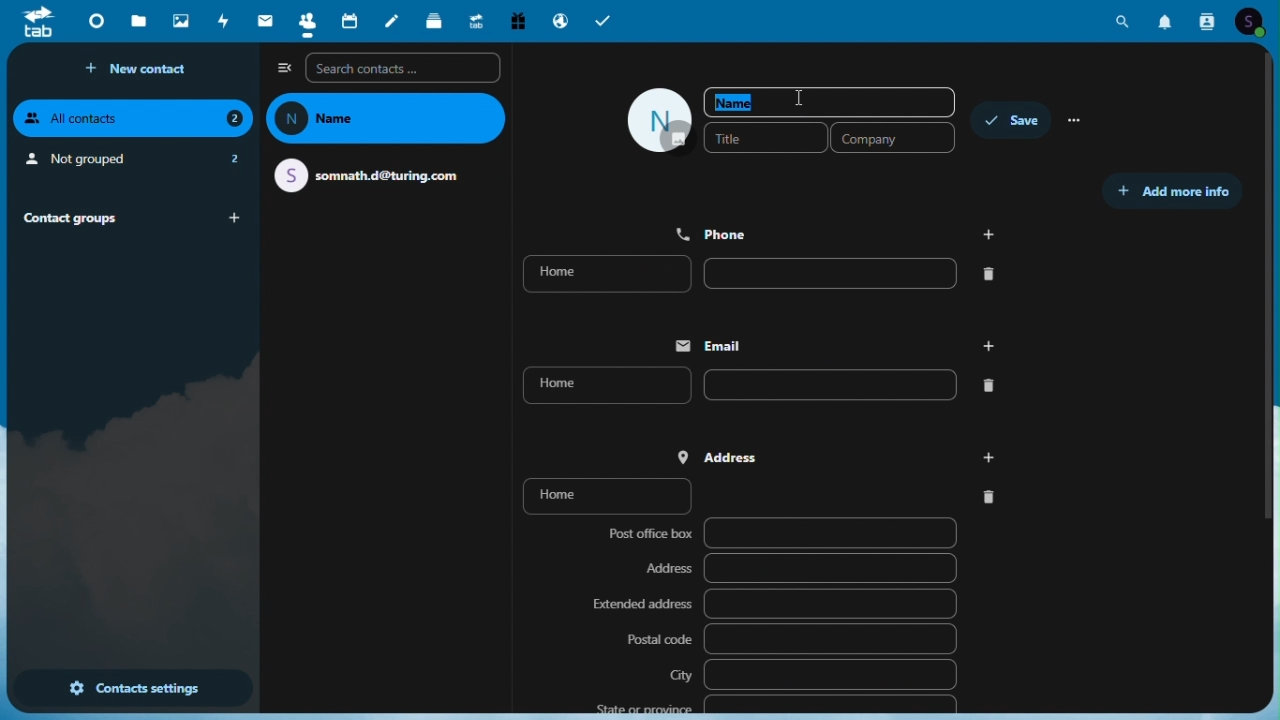 This screenshot has height=720, width=1280. I want to click on Address, so click(840, 454).